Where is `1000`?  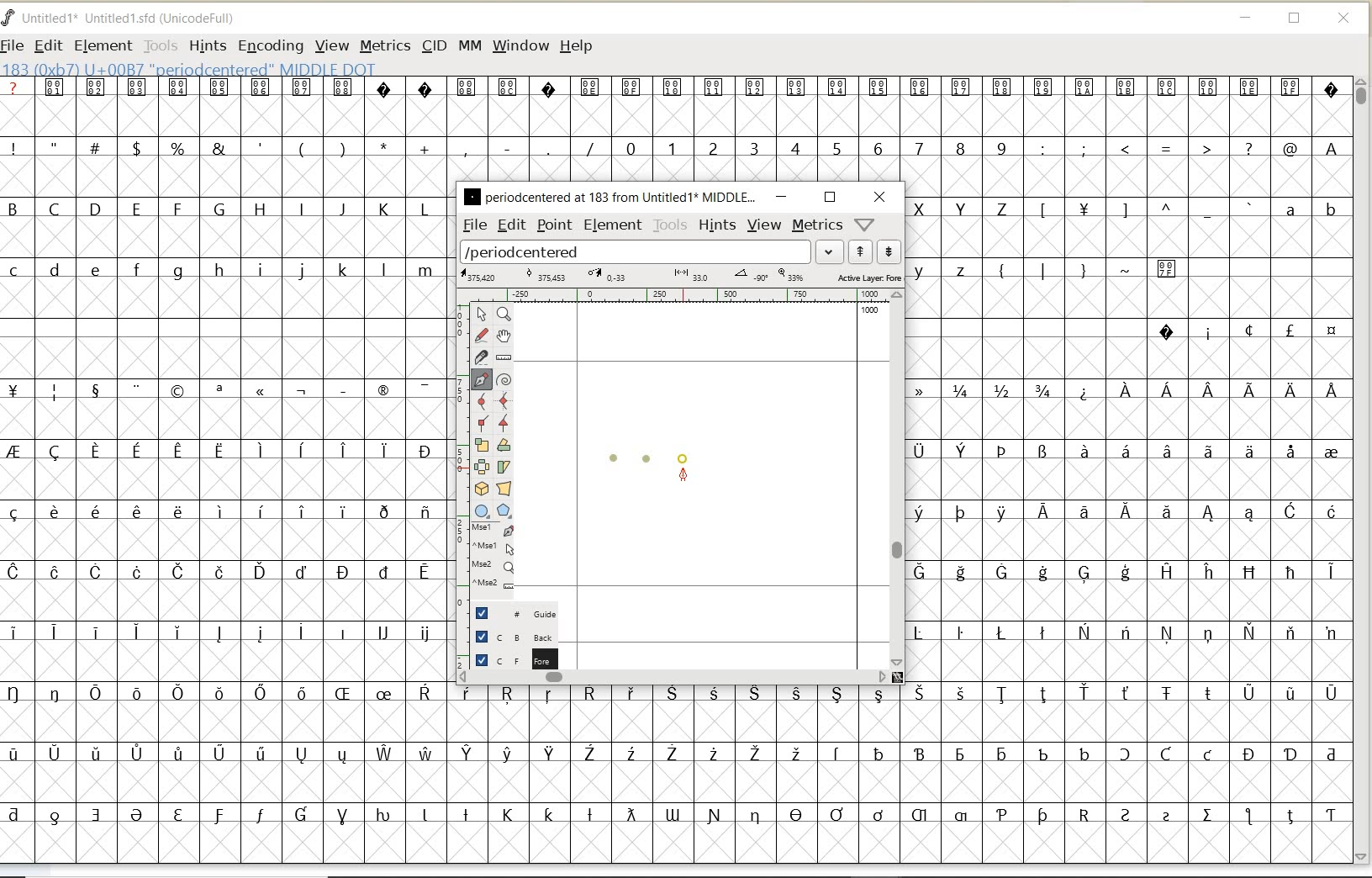
1000 is located at coordinates (870, 312).